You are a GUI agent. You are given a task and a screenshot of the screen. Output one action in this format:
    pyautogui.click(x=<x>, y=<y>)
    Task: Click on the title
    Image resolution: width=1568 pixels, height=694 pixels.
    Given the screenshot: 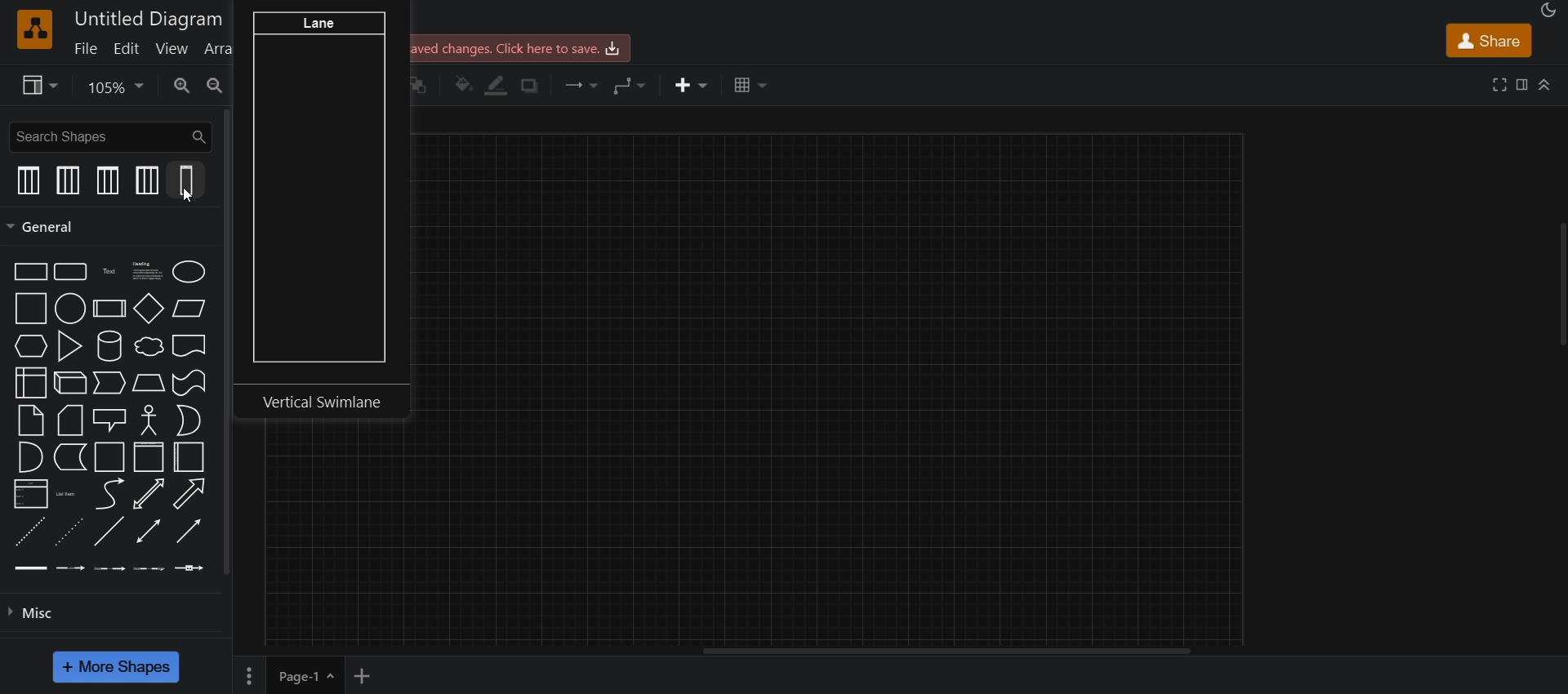 What is the action you would take?
    pyautogui.click(x=145, y=19)
    